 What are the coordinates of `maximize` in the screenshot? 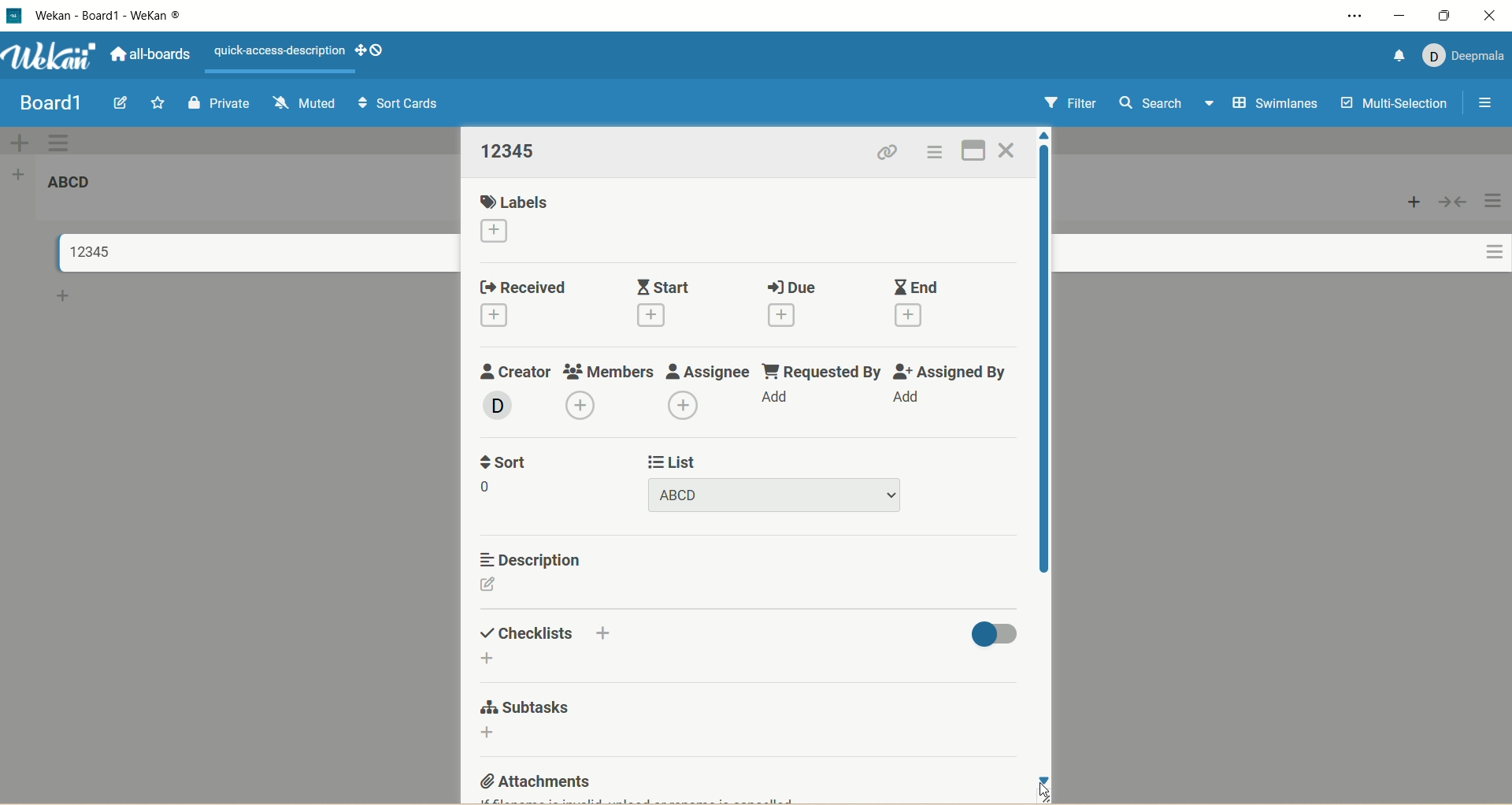 It's located at (1447, 15).